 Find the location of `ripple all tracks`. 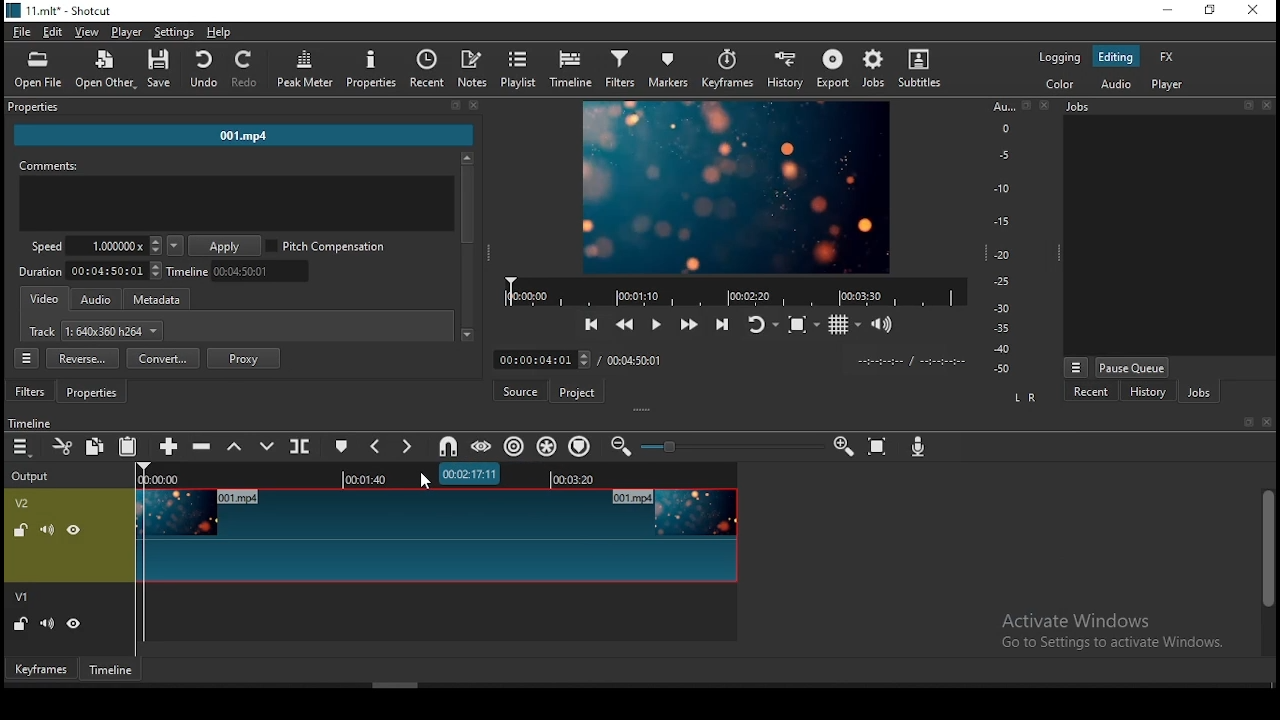

ripple all tracks is located at coordinates (547, 446).